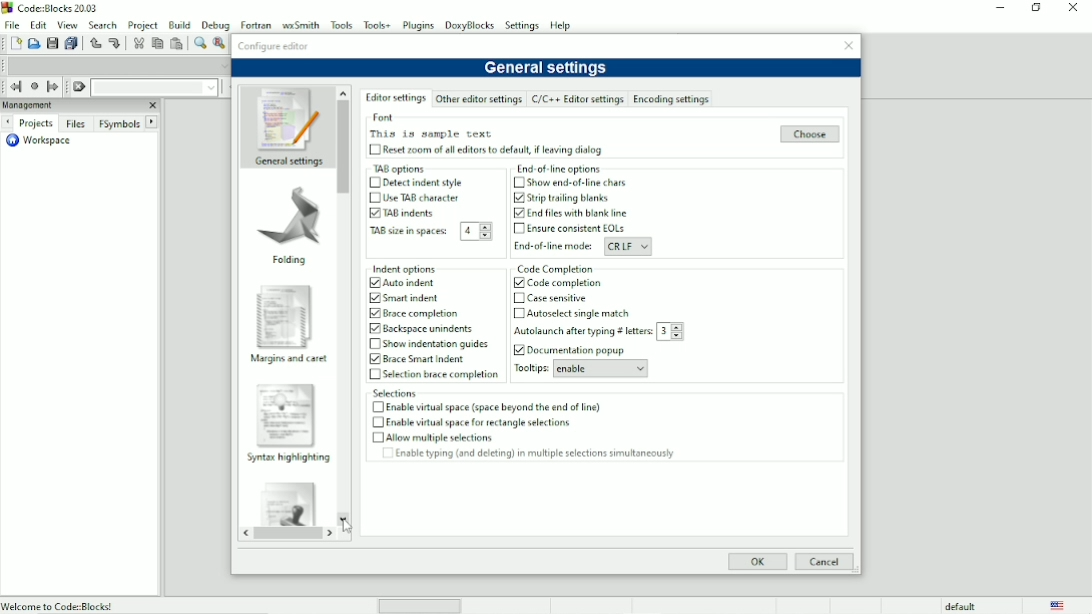  I want to click on Replace, so click(220, 44).